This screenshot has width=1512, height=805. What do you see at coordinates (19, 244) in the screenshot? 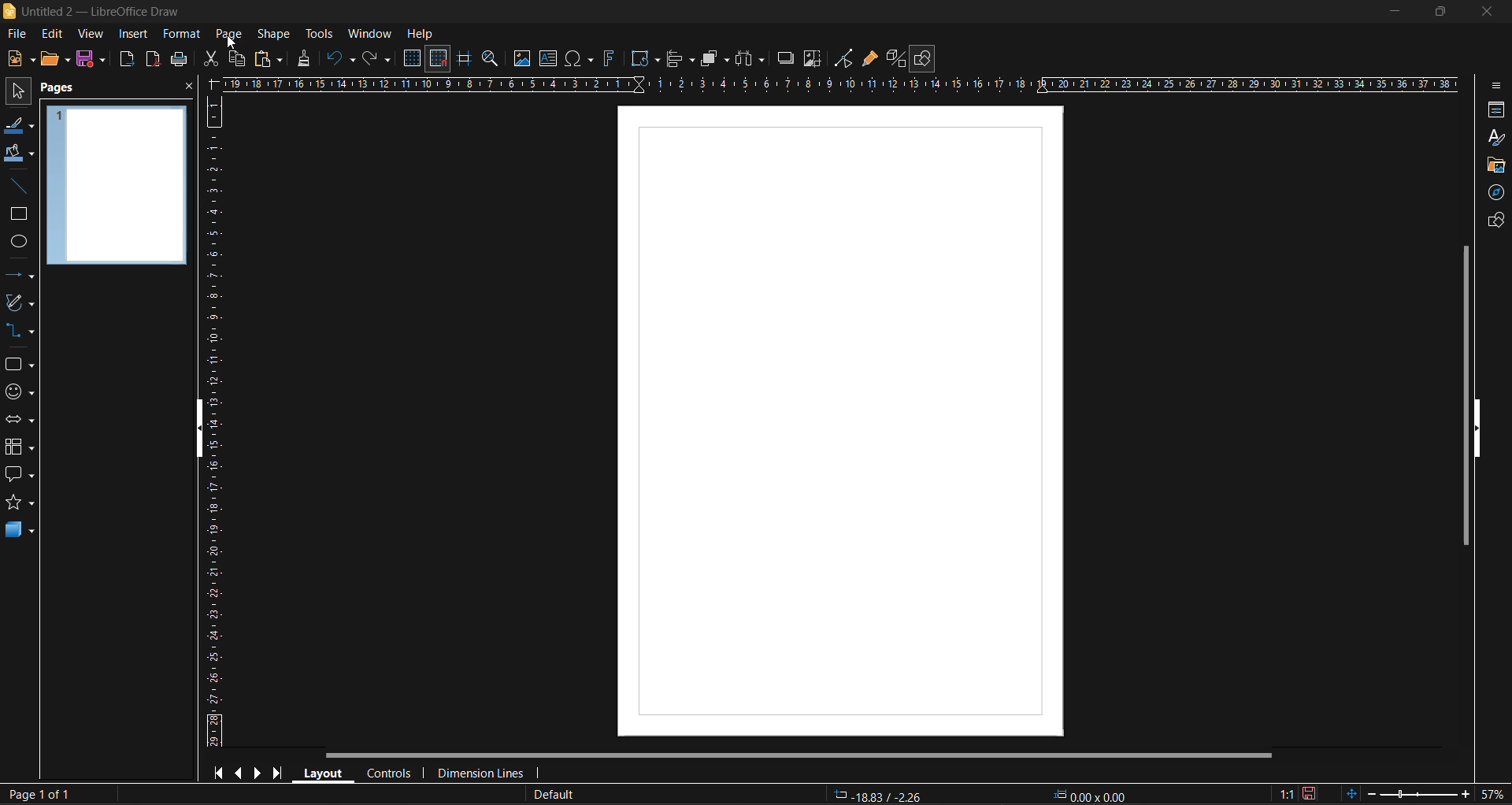
I see `ellipse` at bounding box center [19, 244].